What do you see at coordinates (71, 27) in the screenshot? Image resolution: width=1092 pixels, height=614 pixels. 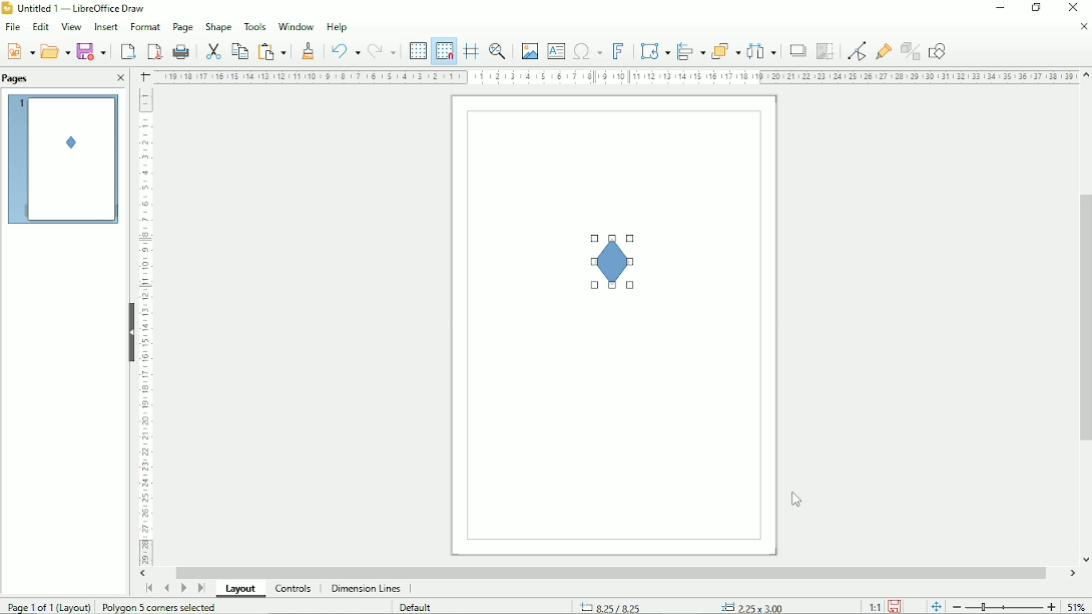 I see `View` at bounding box center [71, 27].